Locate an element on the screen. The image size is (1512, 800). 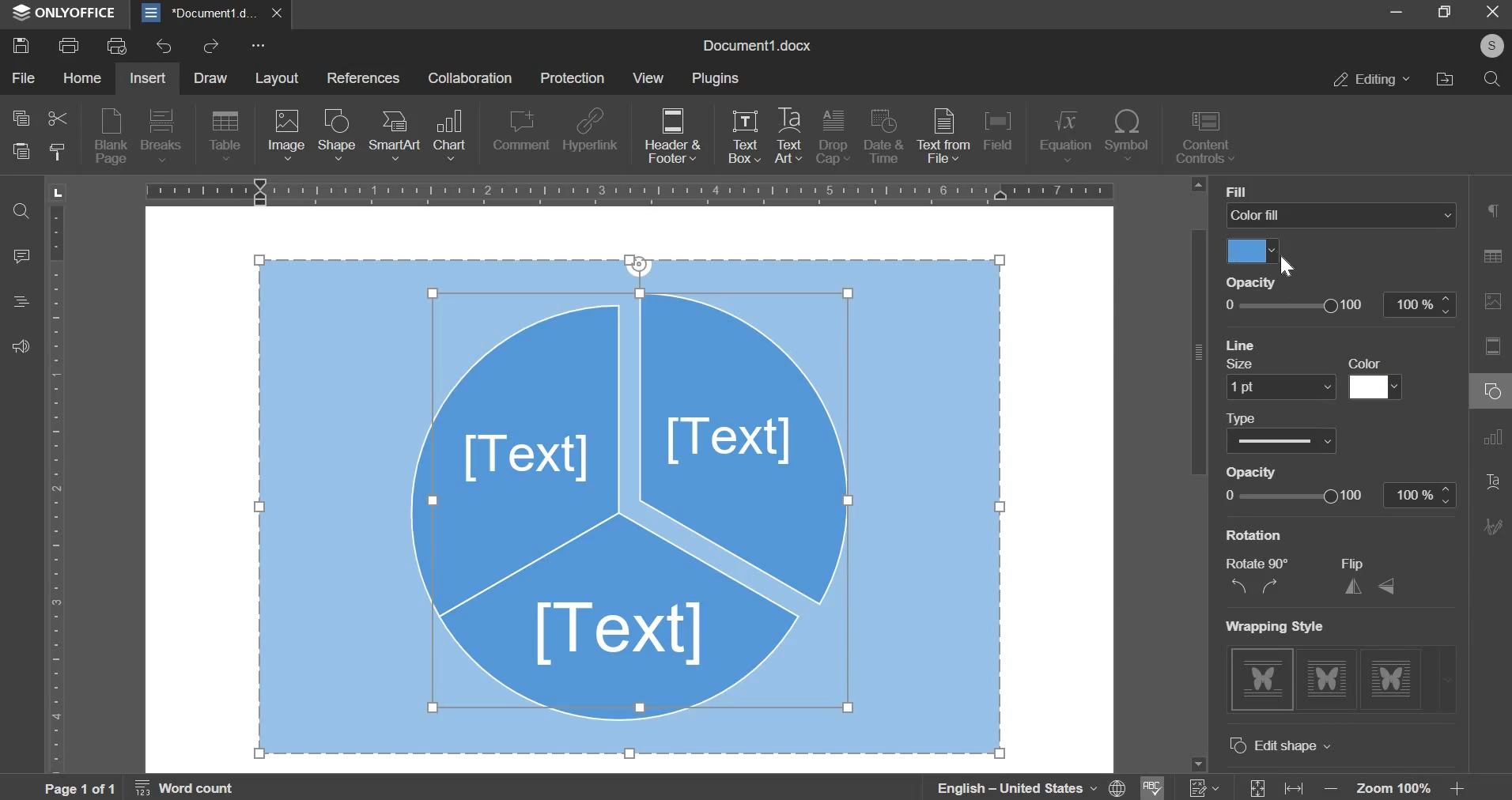
line type is located at coordinates (1282, 440).